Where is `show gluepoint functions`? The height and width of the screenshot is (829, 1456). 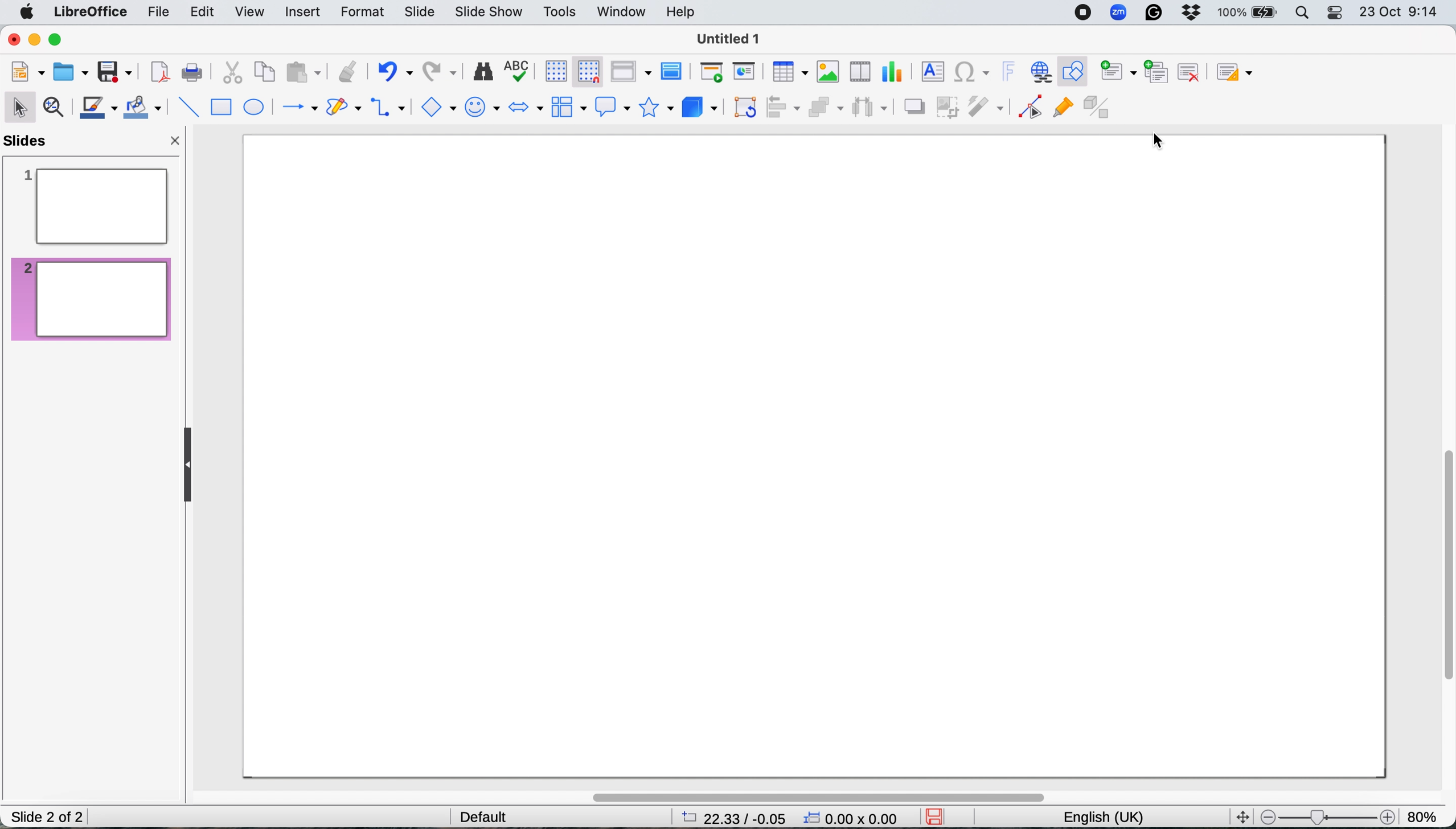 show gluepoint functions is located at coordinates (1064, 112).